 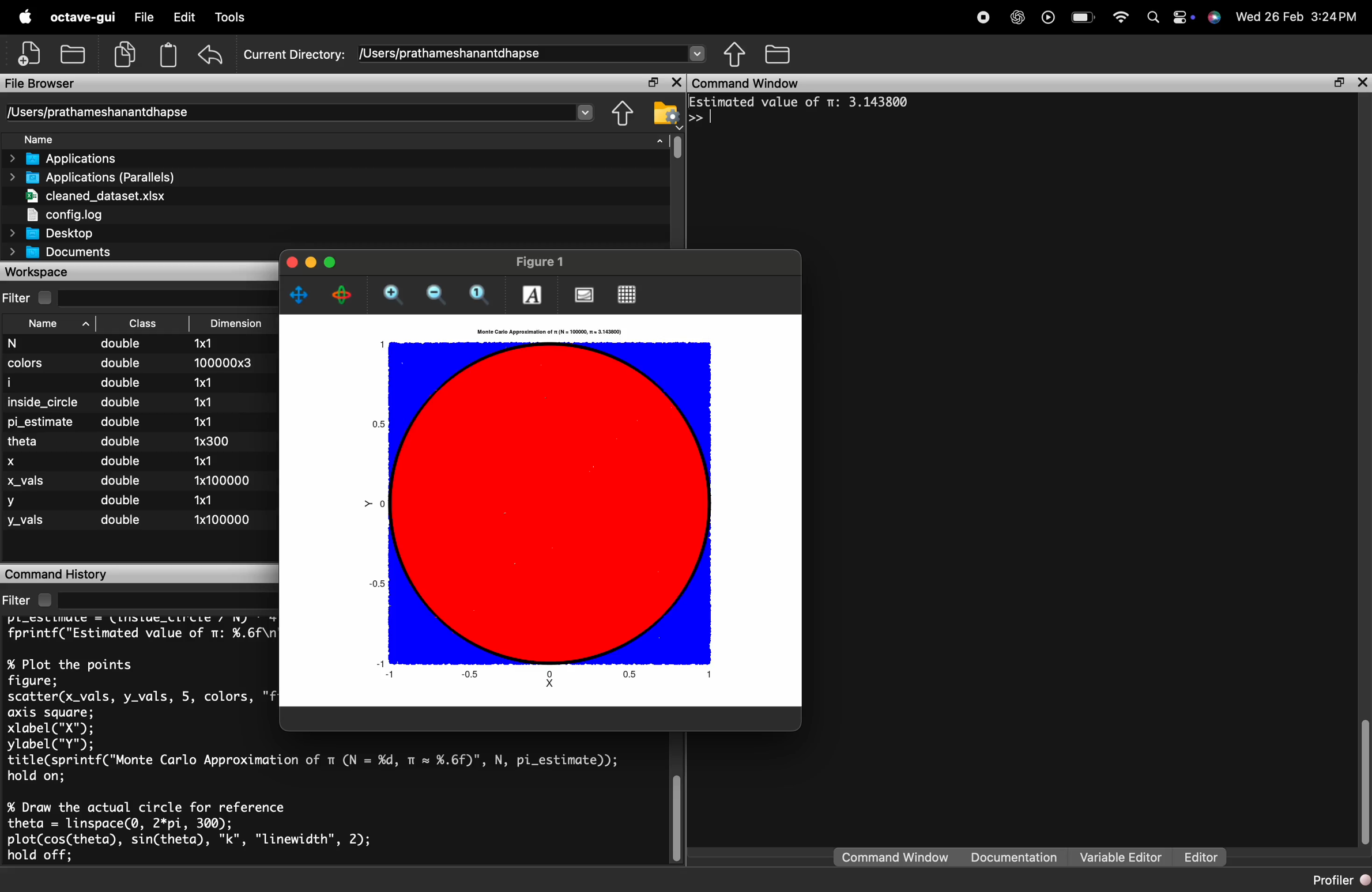 What do you see at coordinates (122, 482) in the screenshot?
I see `double` at bounding box center [122, 482].